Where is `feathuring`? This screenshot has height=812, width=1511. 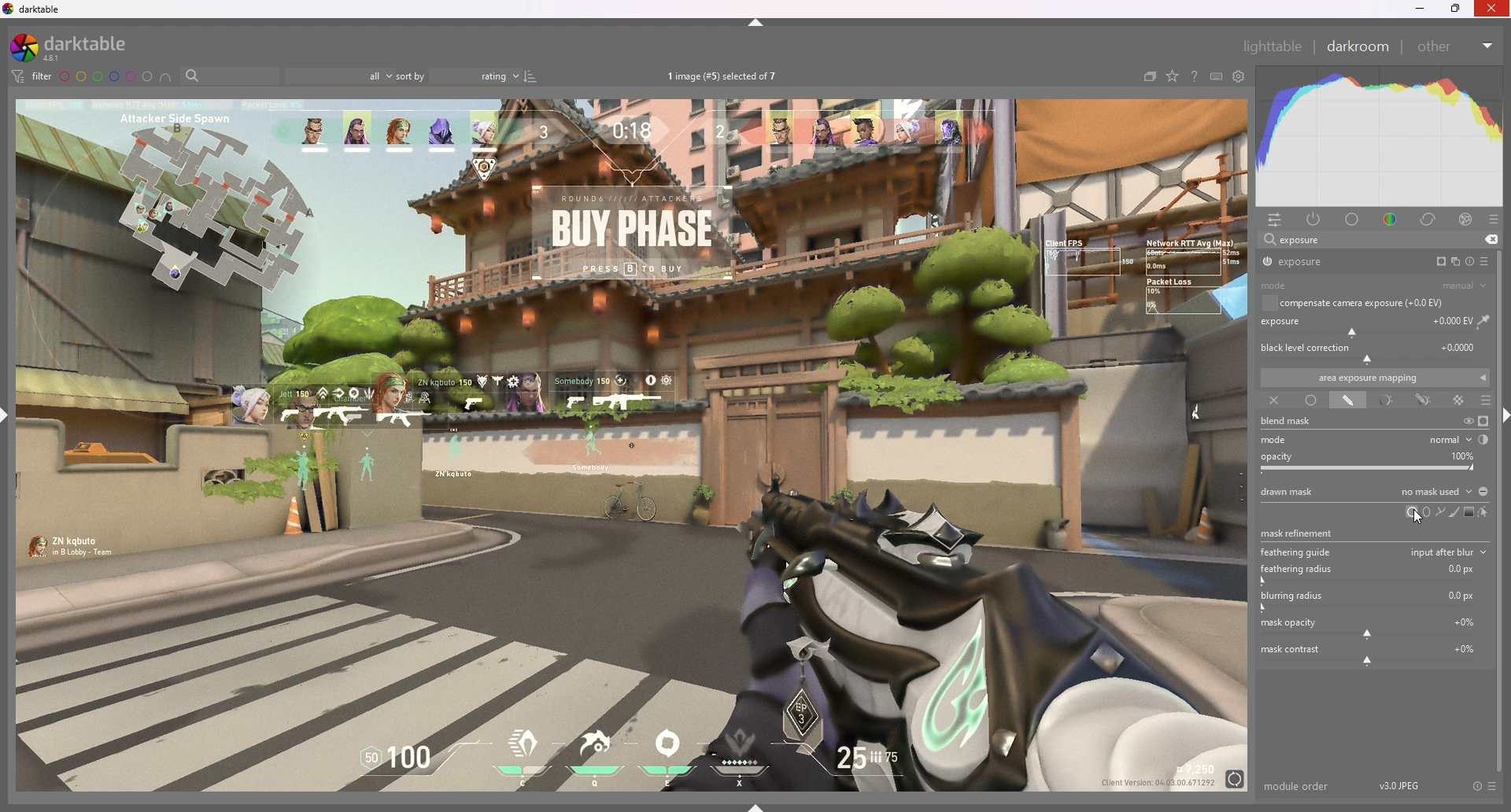 feathuring is located at coordinates (1372, 573).